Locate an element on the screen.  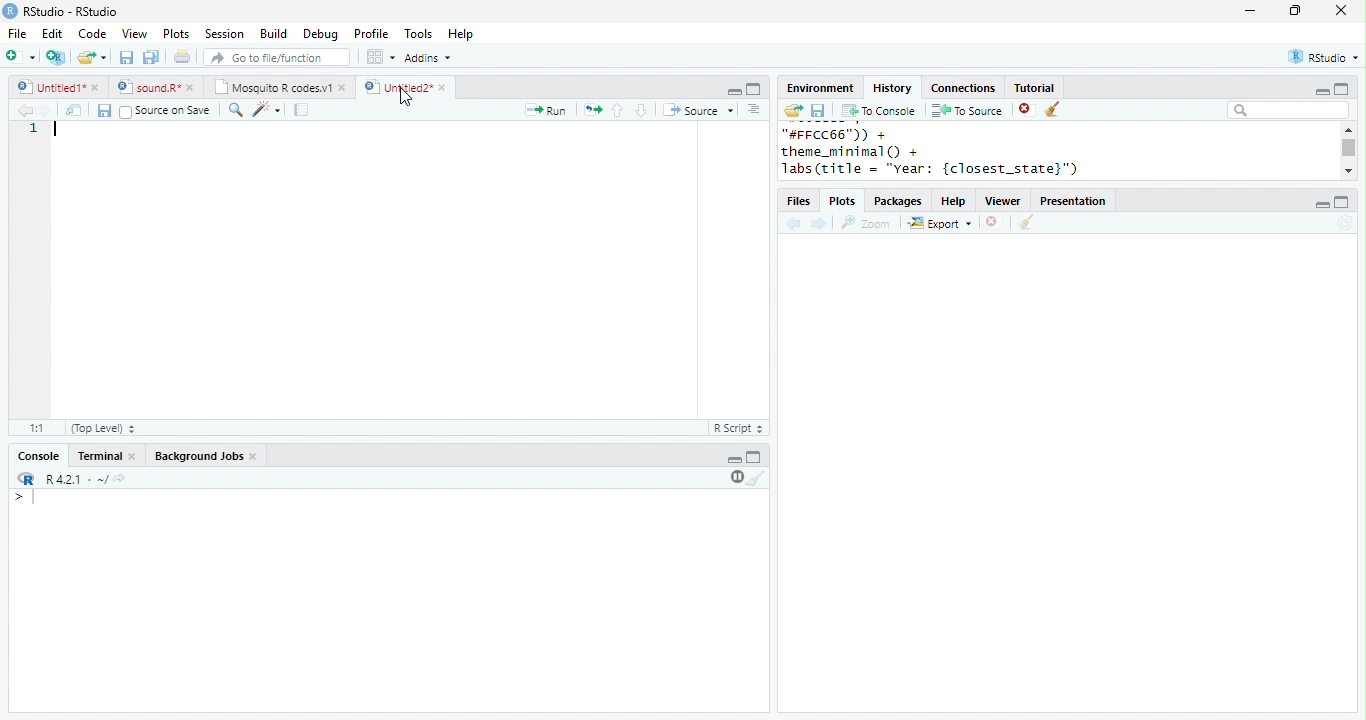
close is located at coordinates (98, 89).